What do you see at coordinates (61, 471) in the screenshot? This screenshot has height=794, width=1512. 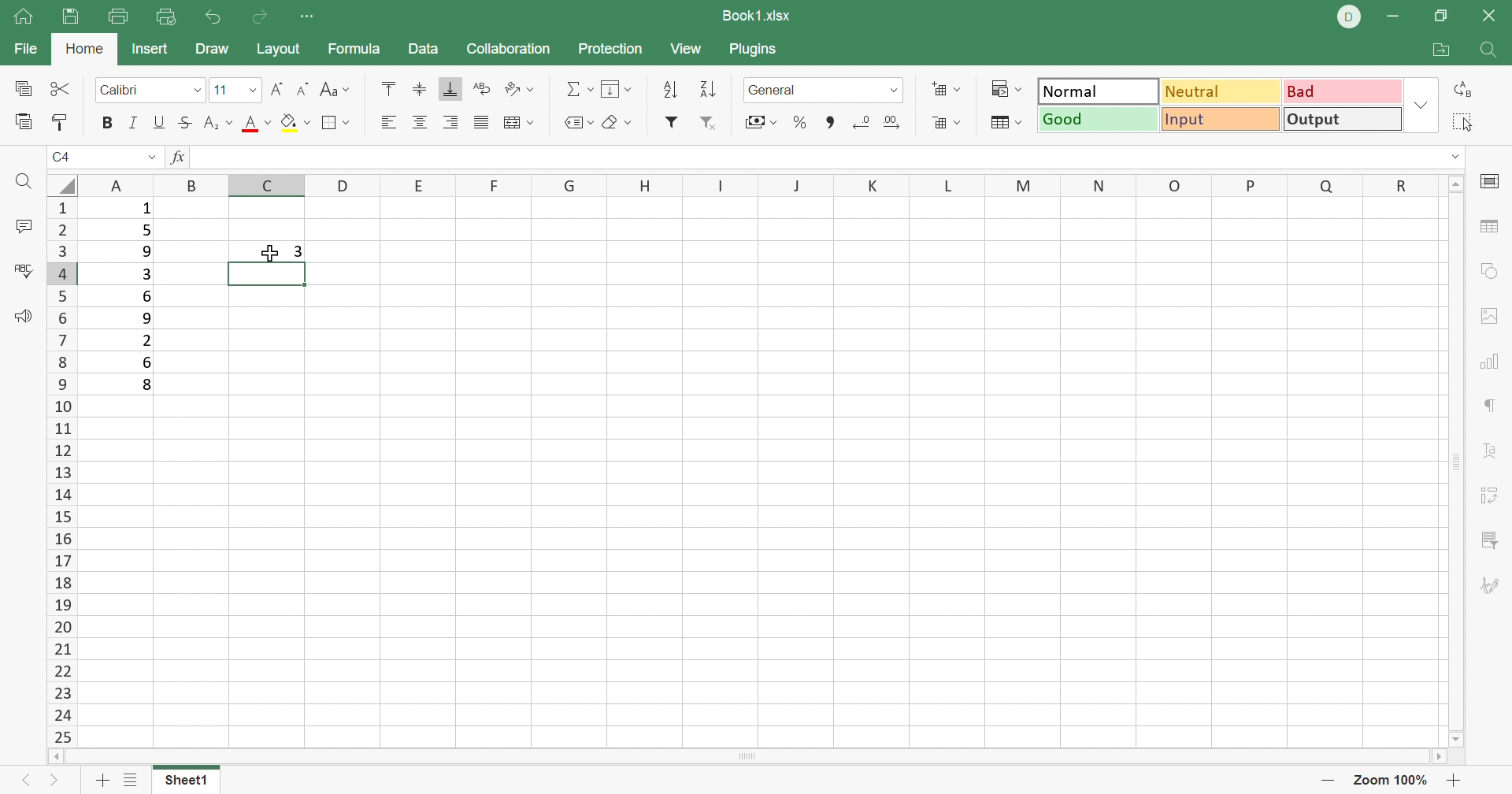 I see `Row names` at bounding box center [61, 471].